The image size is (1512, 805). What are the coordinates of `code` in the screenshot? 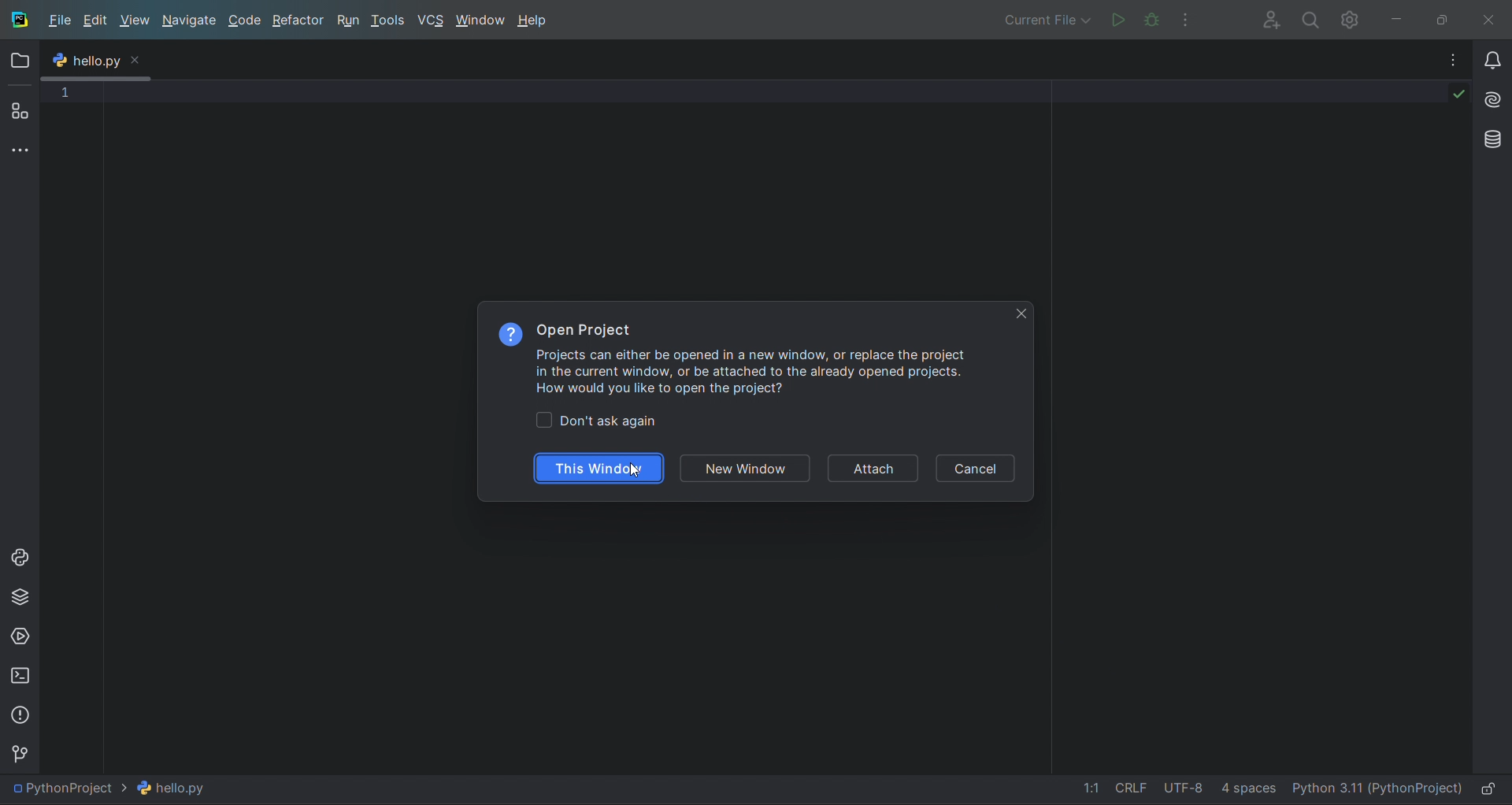 It's located at (246, 22).